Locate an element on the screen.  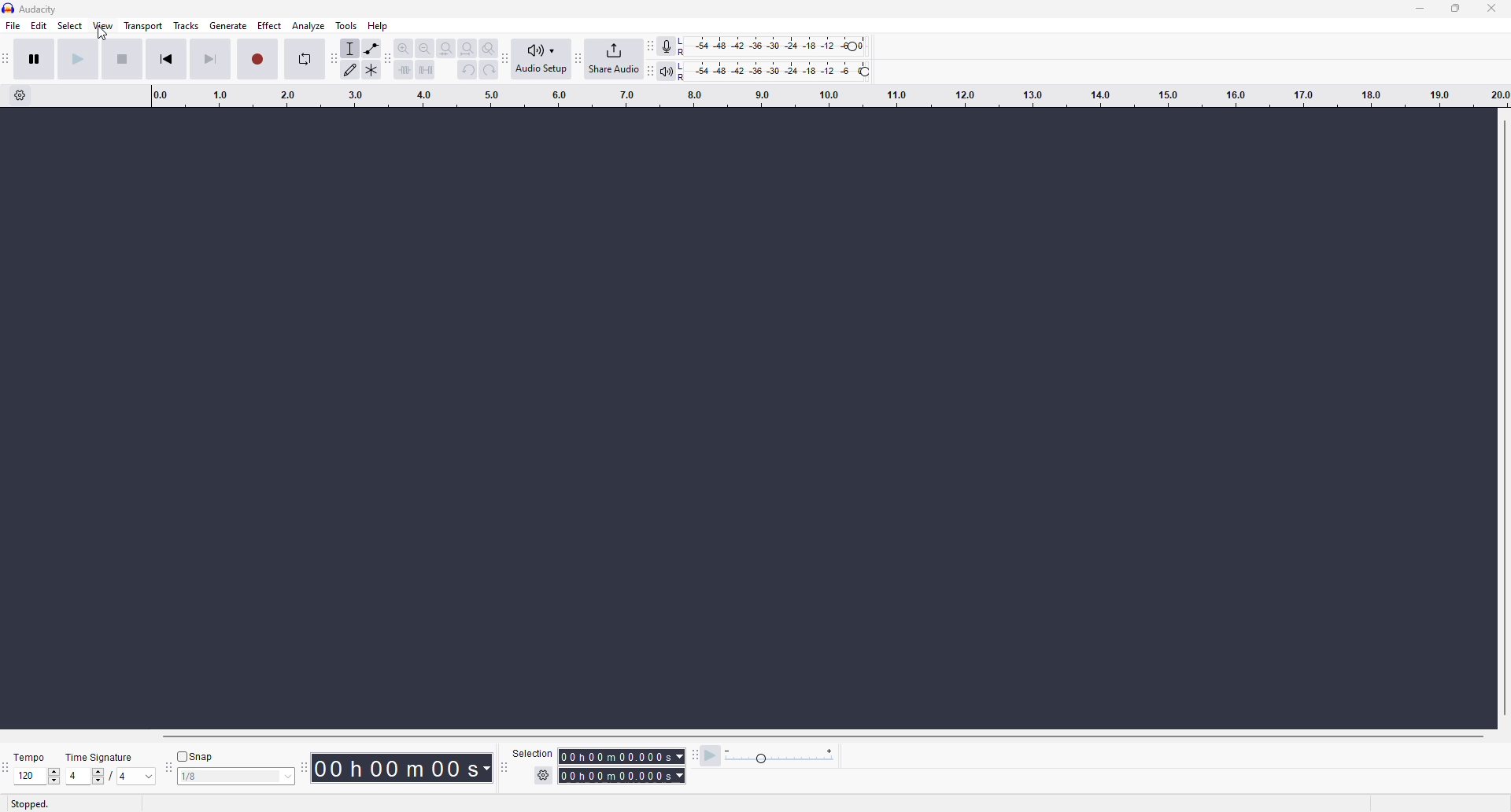
zoom toggle is located at coordinates (488, 48).